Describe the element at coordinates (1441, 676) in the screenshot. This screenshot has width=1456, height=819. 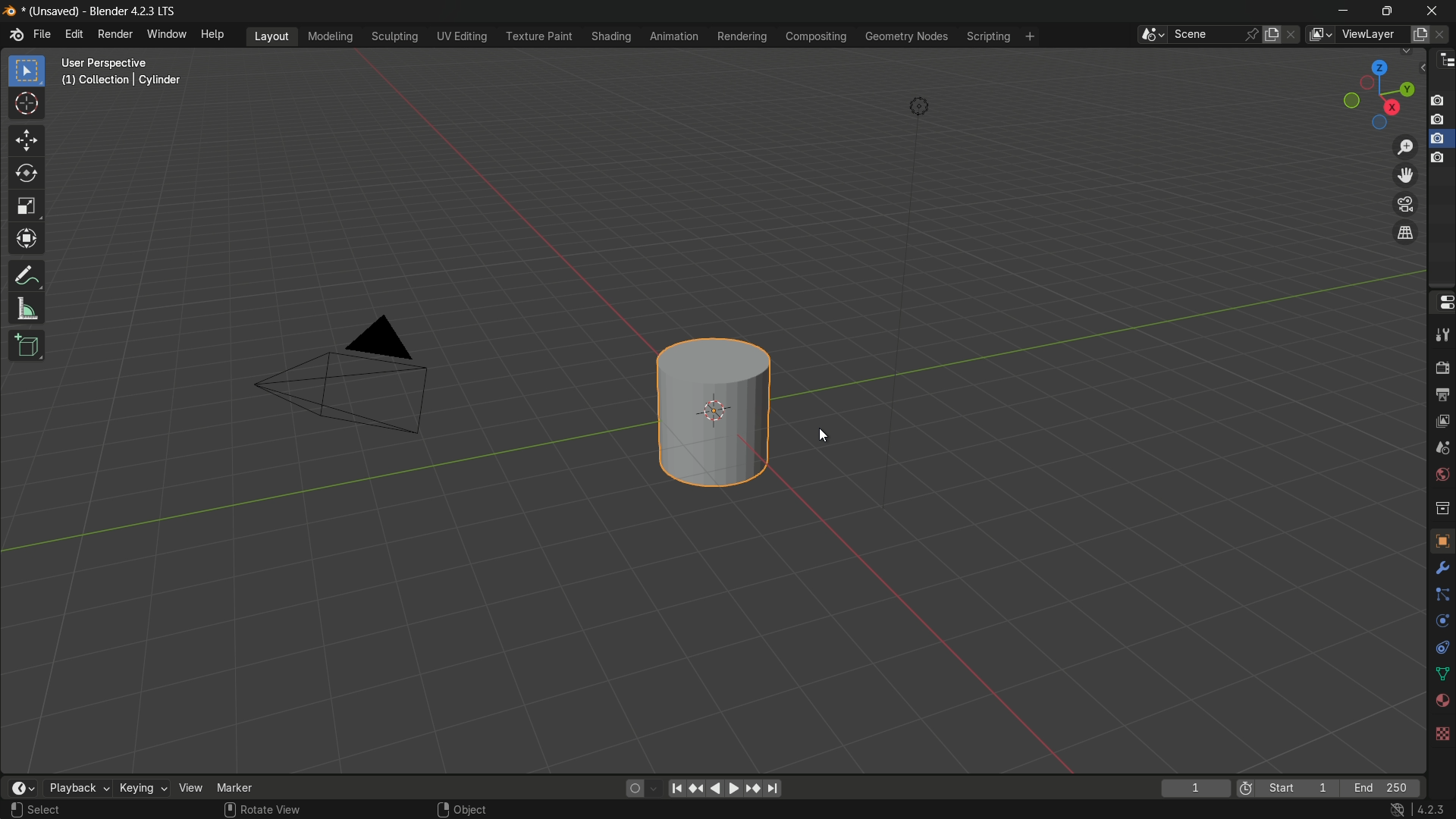
I see `data` at that location.